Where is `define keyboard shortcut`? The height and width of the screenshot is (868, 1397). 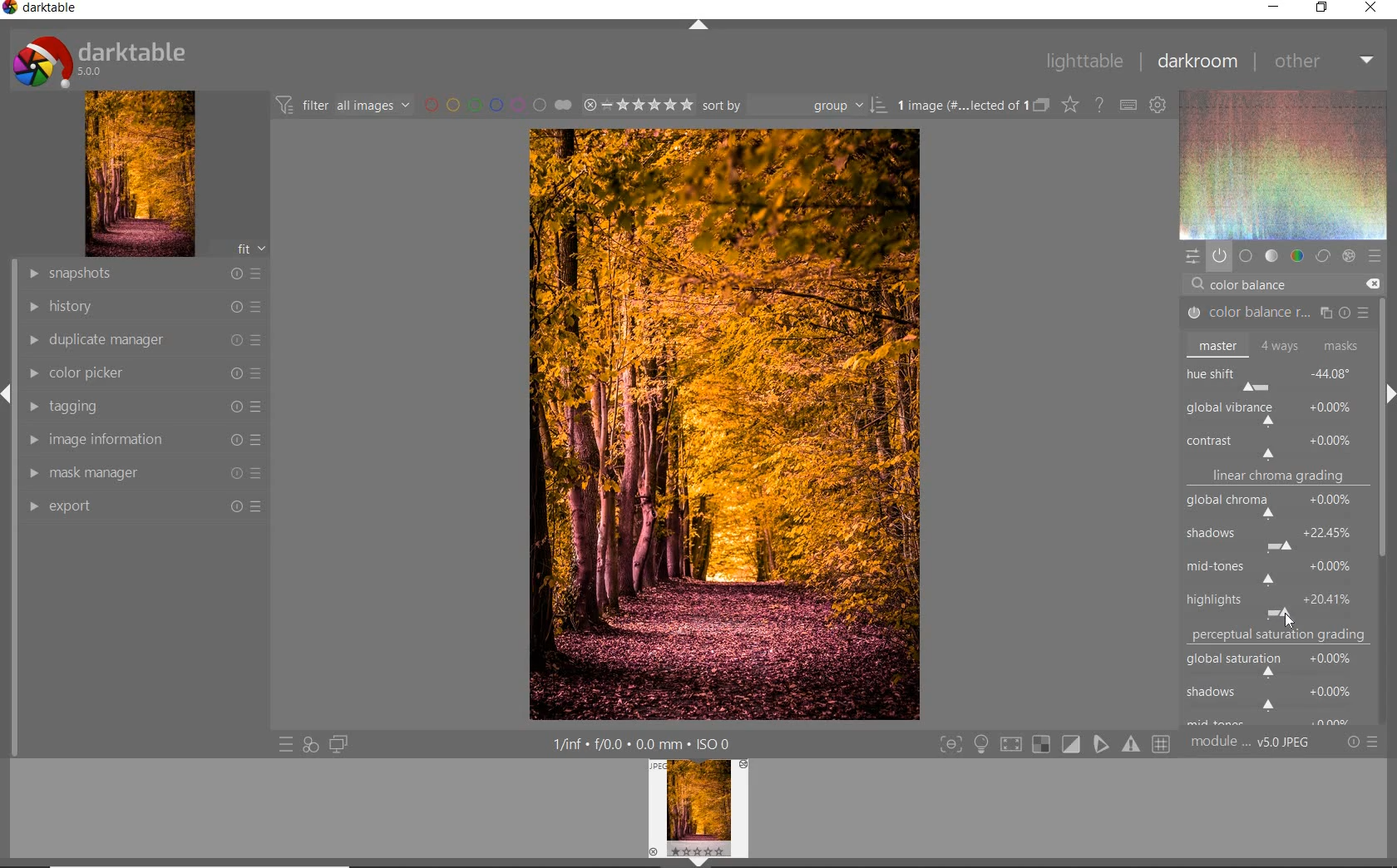
define keyboard shortcut is located at coordinates (1128, 106).